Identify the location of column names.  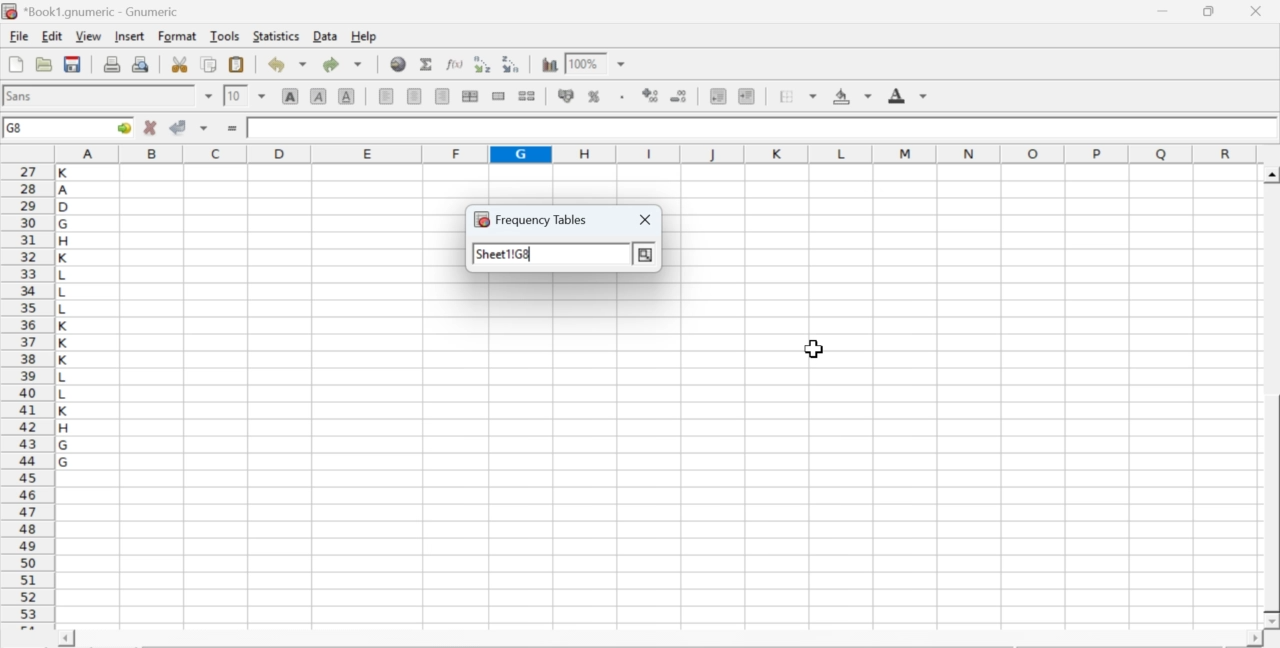
(653, 153).